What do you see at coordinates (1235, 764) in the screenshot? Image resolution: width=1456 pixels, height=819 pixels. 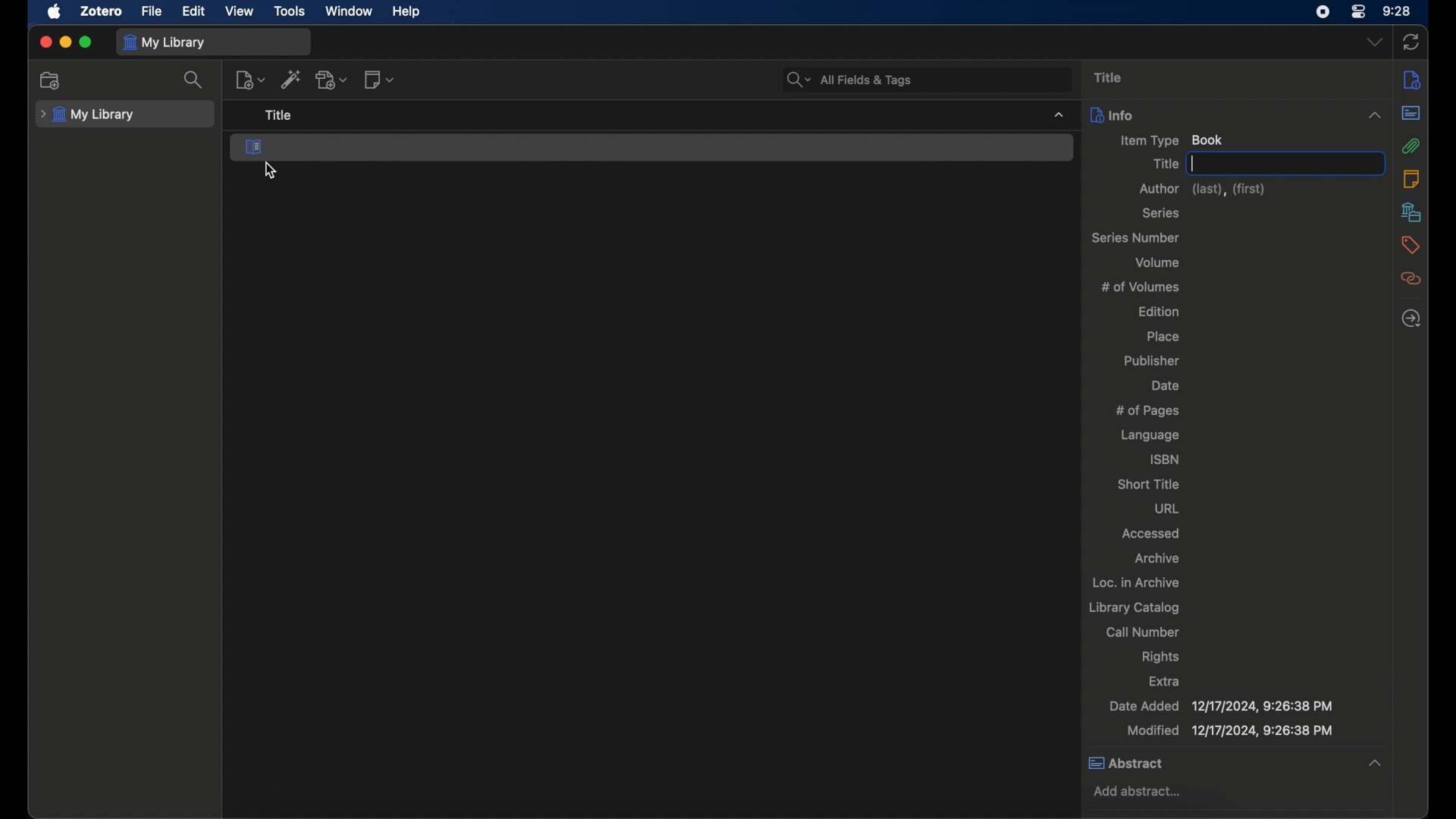 I see `abstract` at bounding box center [1235, 764].